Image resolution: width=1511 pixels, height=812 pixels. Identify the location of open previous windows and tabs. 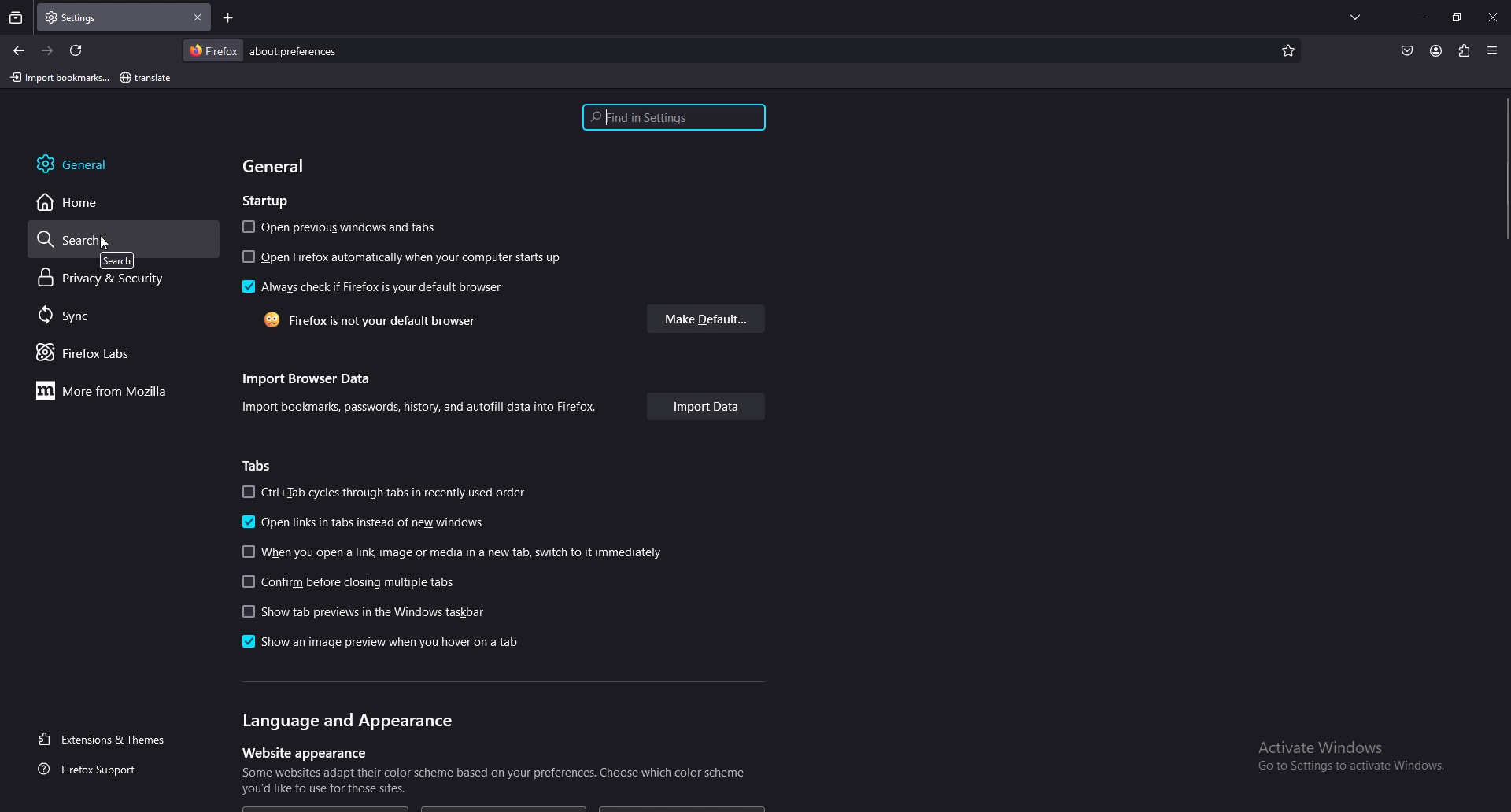
(338, 227).